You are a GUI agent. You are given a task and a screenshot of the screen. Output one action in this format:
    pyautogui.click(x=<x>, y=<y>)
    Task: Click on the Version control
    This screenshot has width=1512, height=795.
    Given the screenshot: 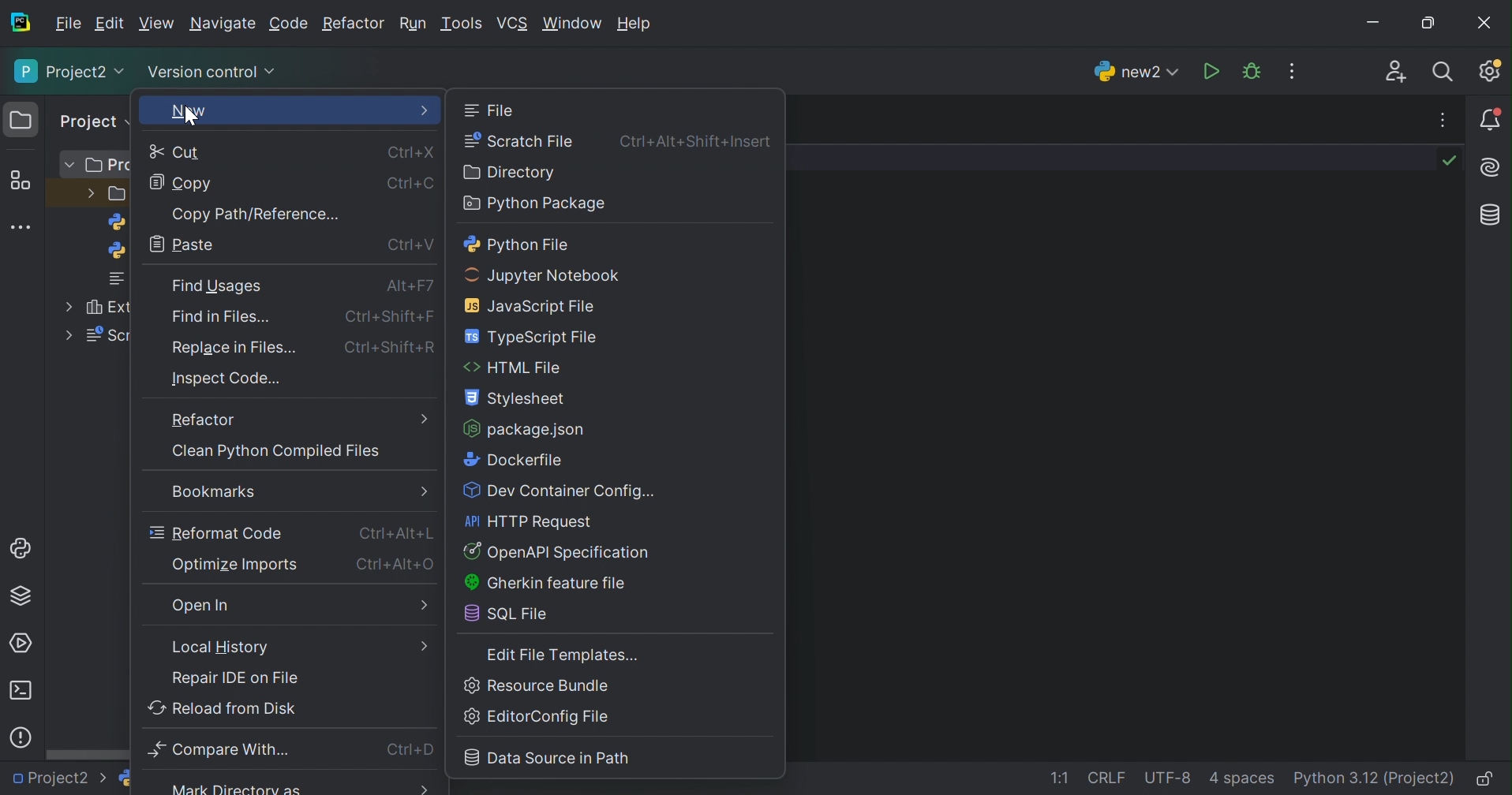 What is the action you would take?
    pyautogui.click(x=211, y=70)
    